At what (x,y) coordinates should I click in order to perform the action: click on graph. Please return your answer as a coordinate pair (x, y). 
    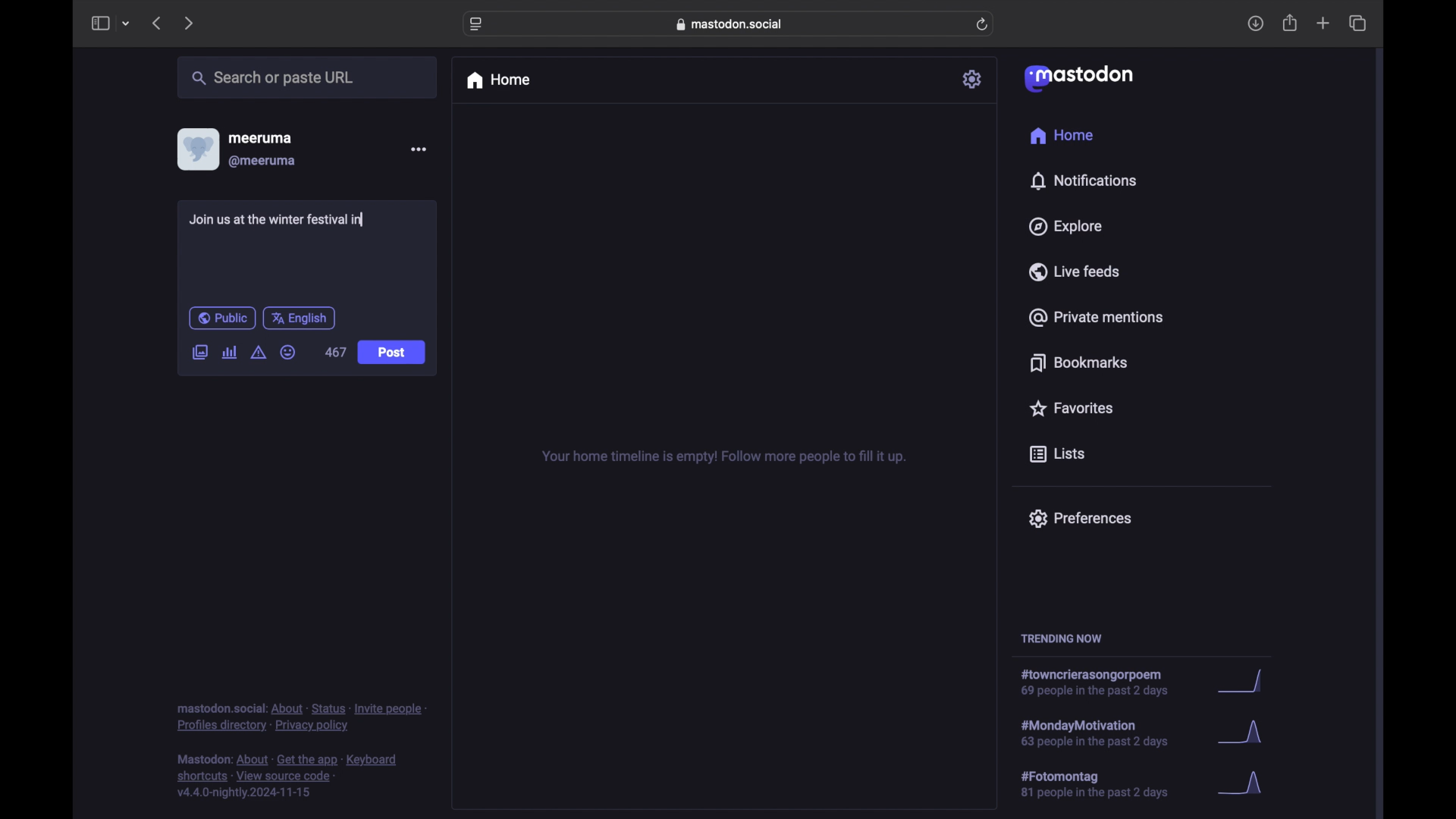
    Looking at the image, I should click on (1244, 736).